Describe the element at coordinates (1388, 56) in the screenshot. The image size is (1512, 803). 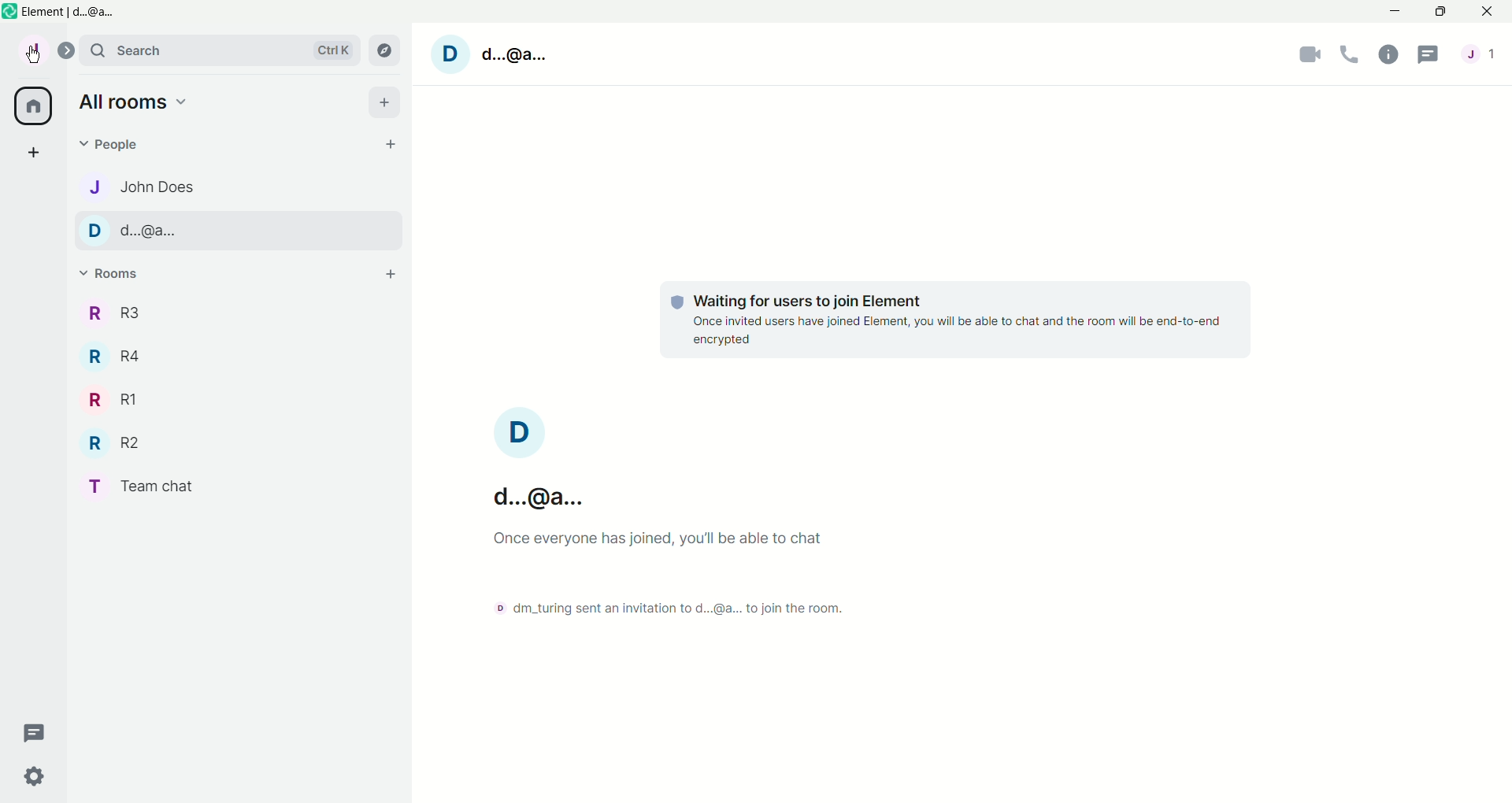
I see `Room info` at that location.